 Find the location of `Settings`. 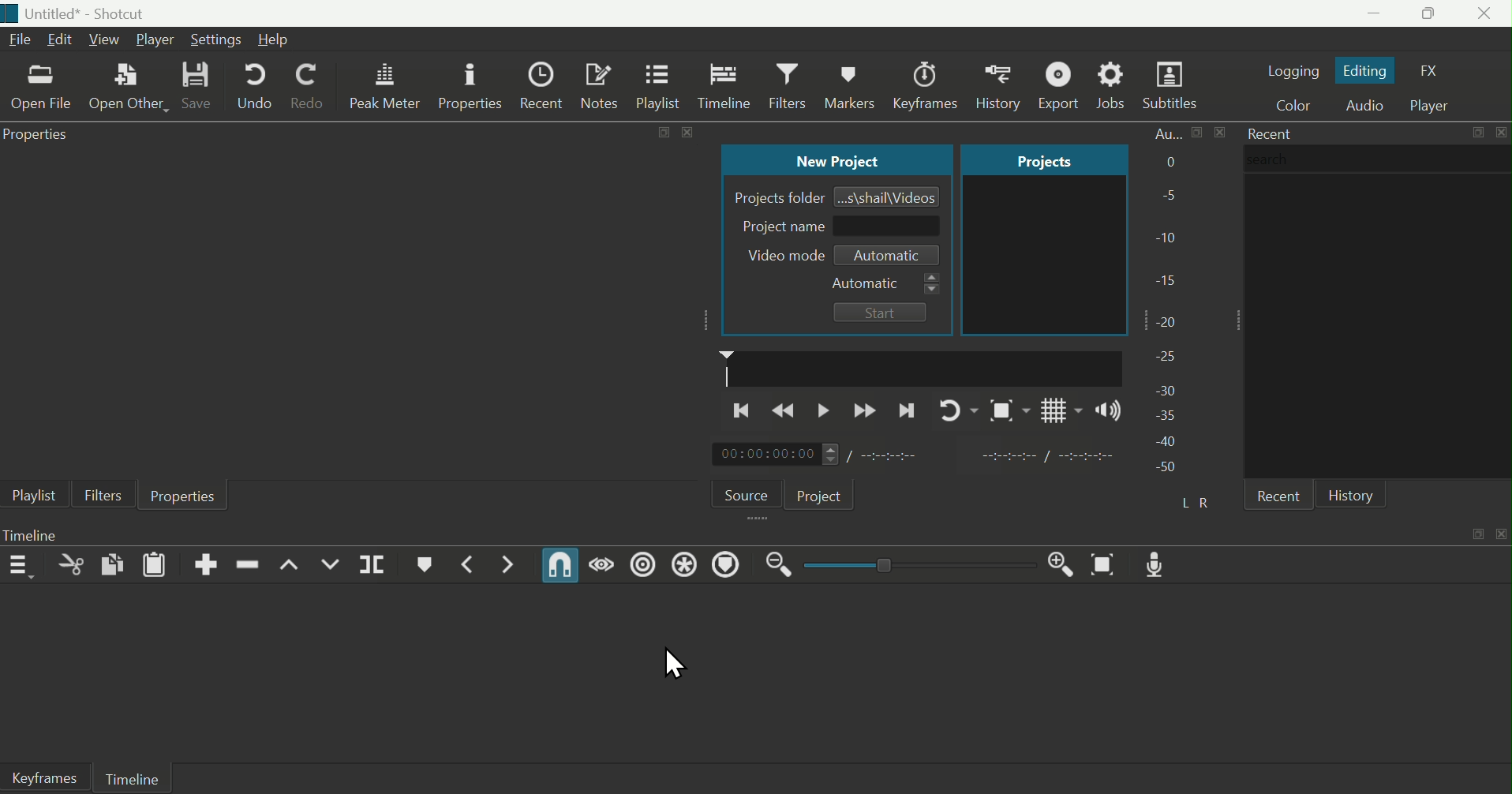

Settings is located at coordinates (216, 39).